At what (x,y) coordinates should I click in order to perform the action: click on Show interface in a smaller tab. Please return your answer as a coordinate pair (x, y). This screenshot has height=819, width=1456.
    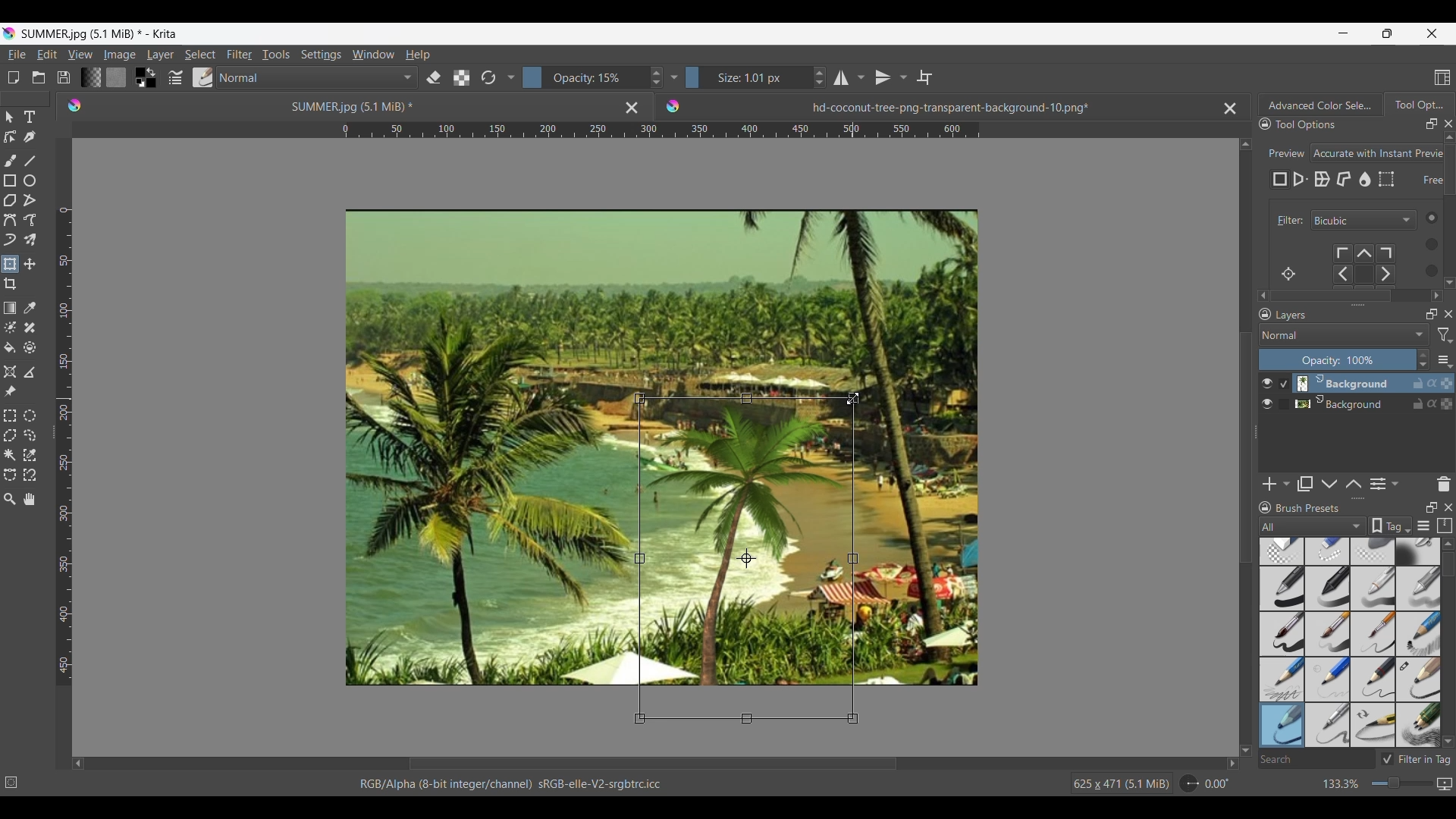
    Looking at the image, I should click on (1387, 33).